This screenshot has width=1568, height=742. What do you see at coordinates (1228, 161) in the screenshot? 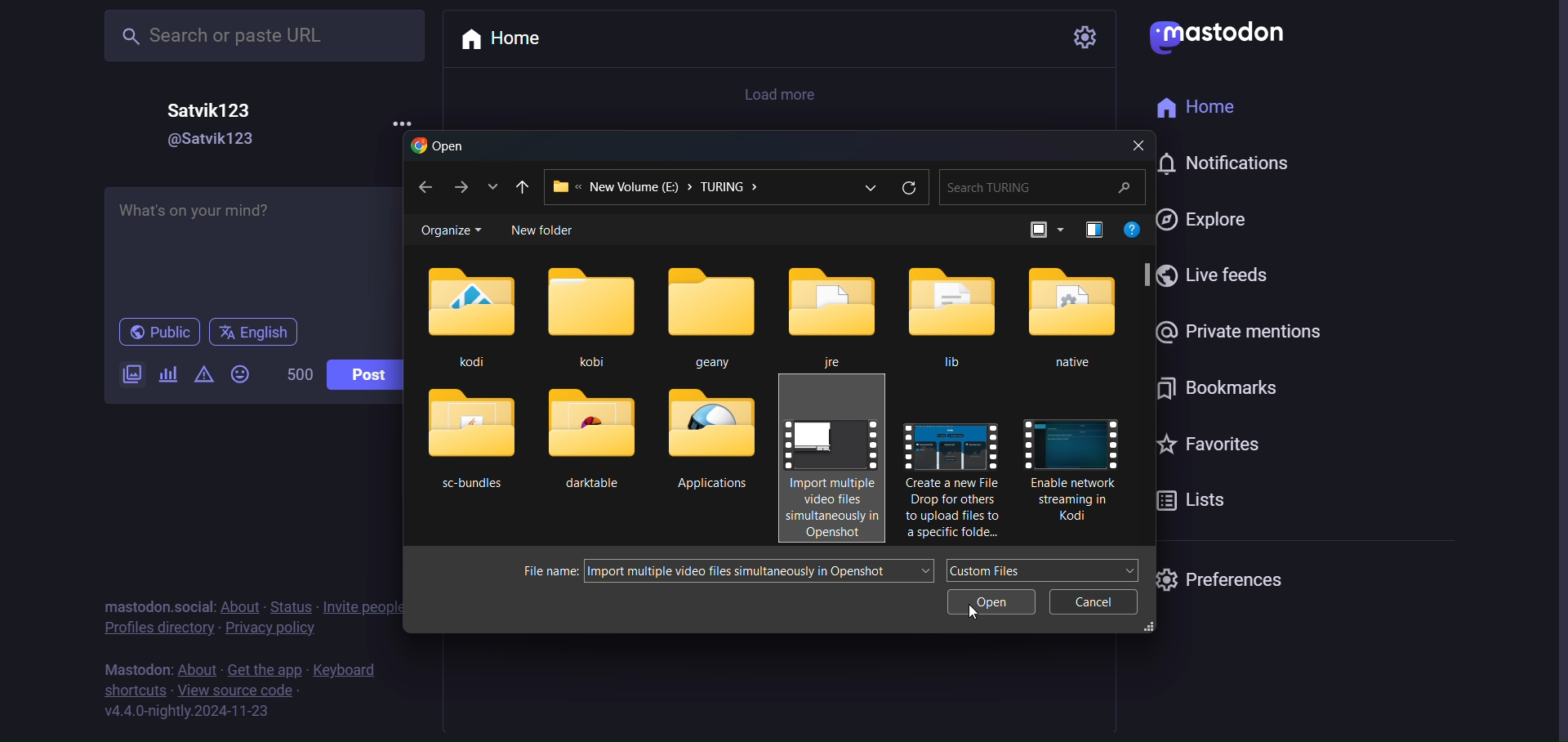
I see `notification` at bounding box center [1228, 161].